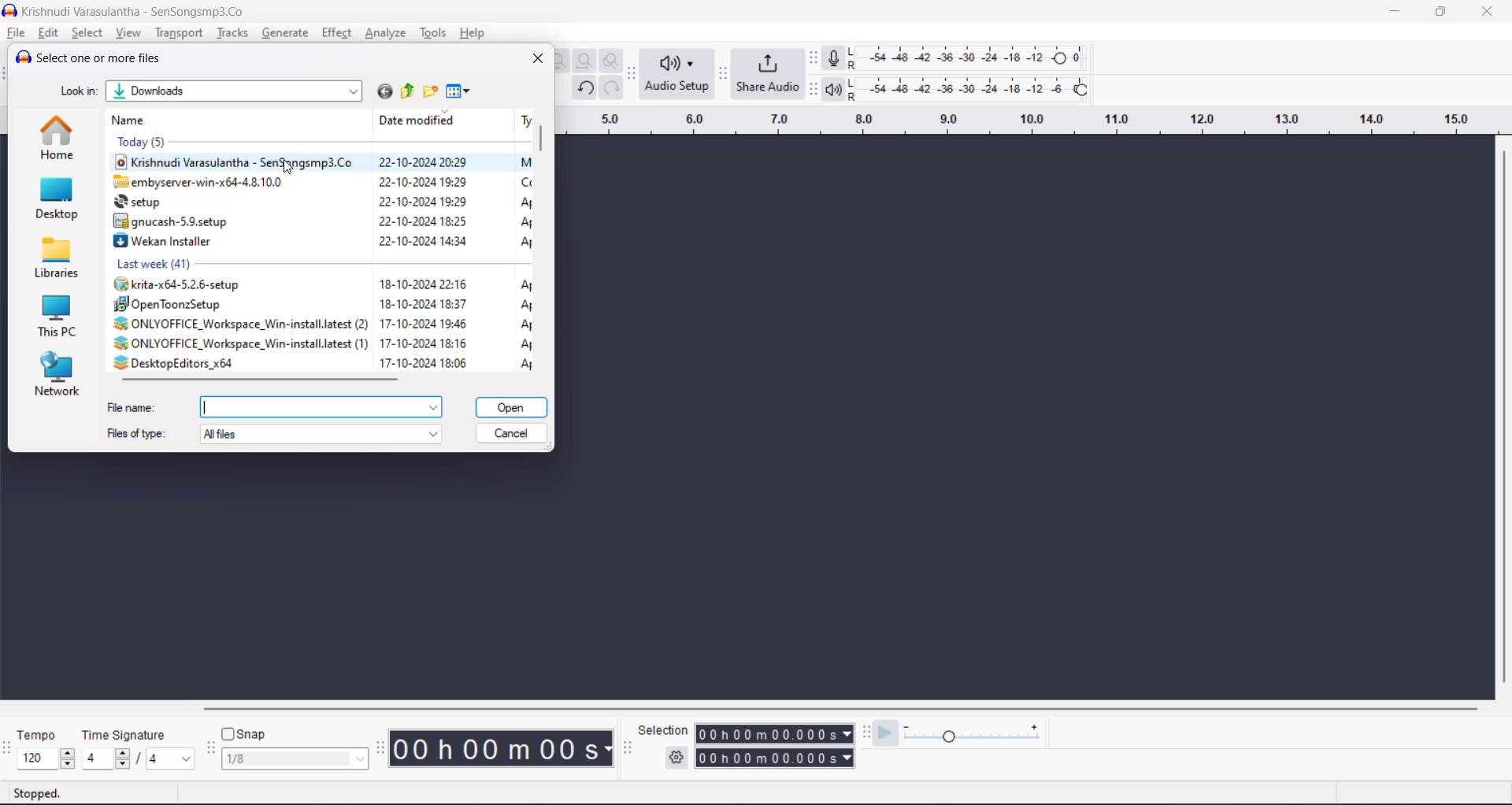 This screenshot has width=1512, height=805. What do you see at coordinates (664, 730) in the screenshot?
I see `selection` at bounding box center [664, 730].